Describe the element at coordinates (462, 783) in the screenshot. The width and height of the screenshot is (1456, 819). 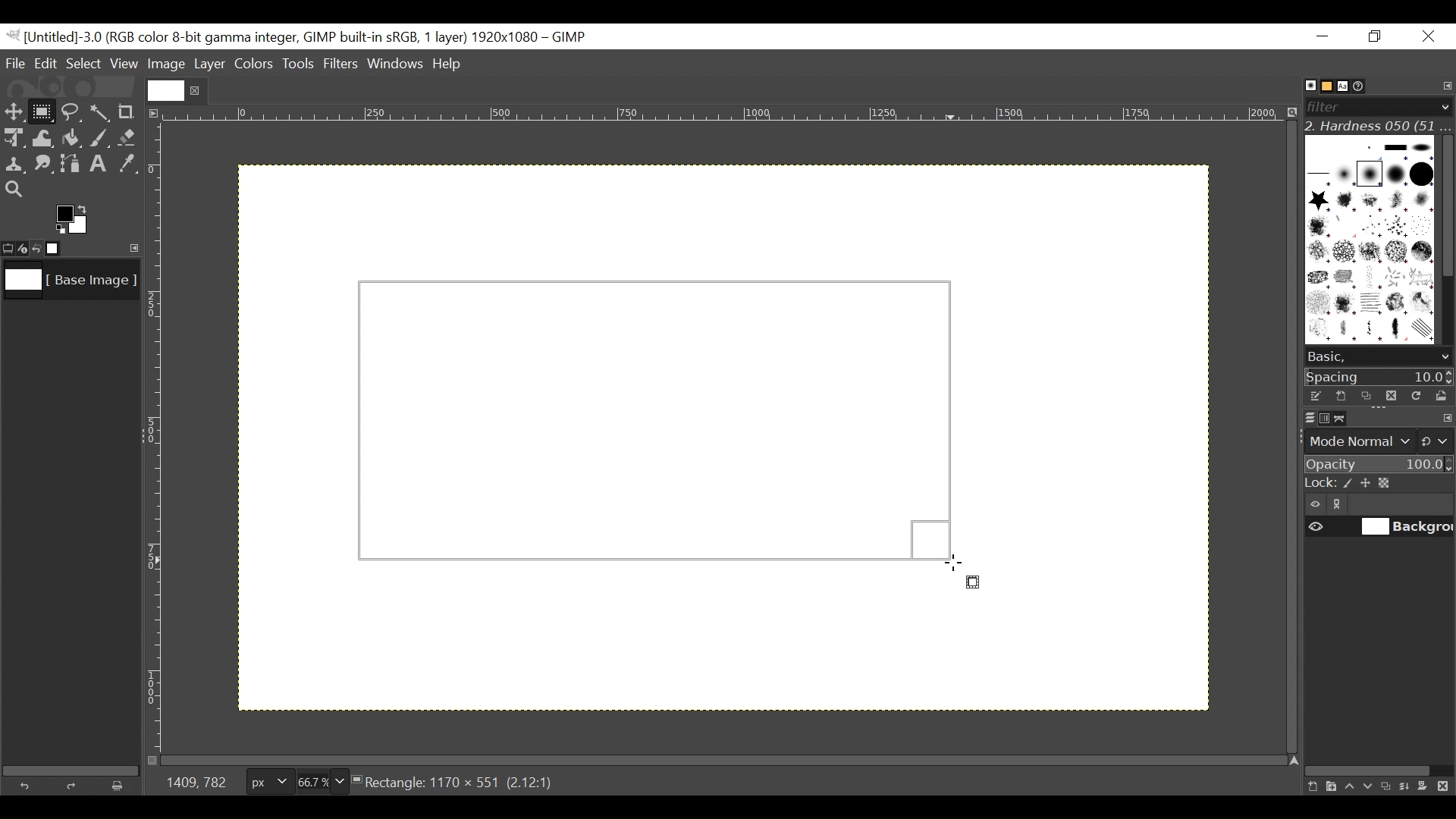
I see `Rectangle: 1170 x 551 (2.12:1)` at that location.